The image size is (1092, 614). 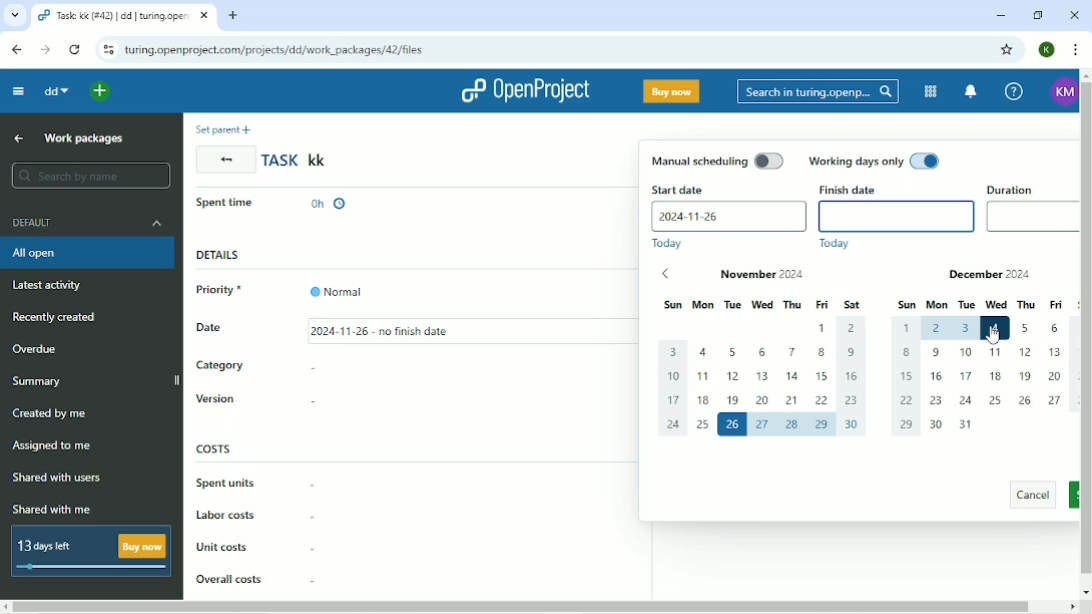 I want to click on Reload this page, so click(x=77, y=50).